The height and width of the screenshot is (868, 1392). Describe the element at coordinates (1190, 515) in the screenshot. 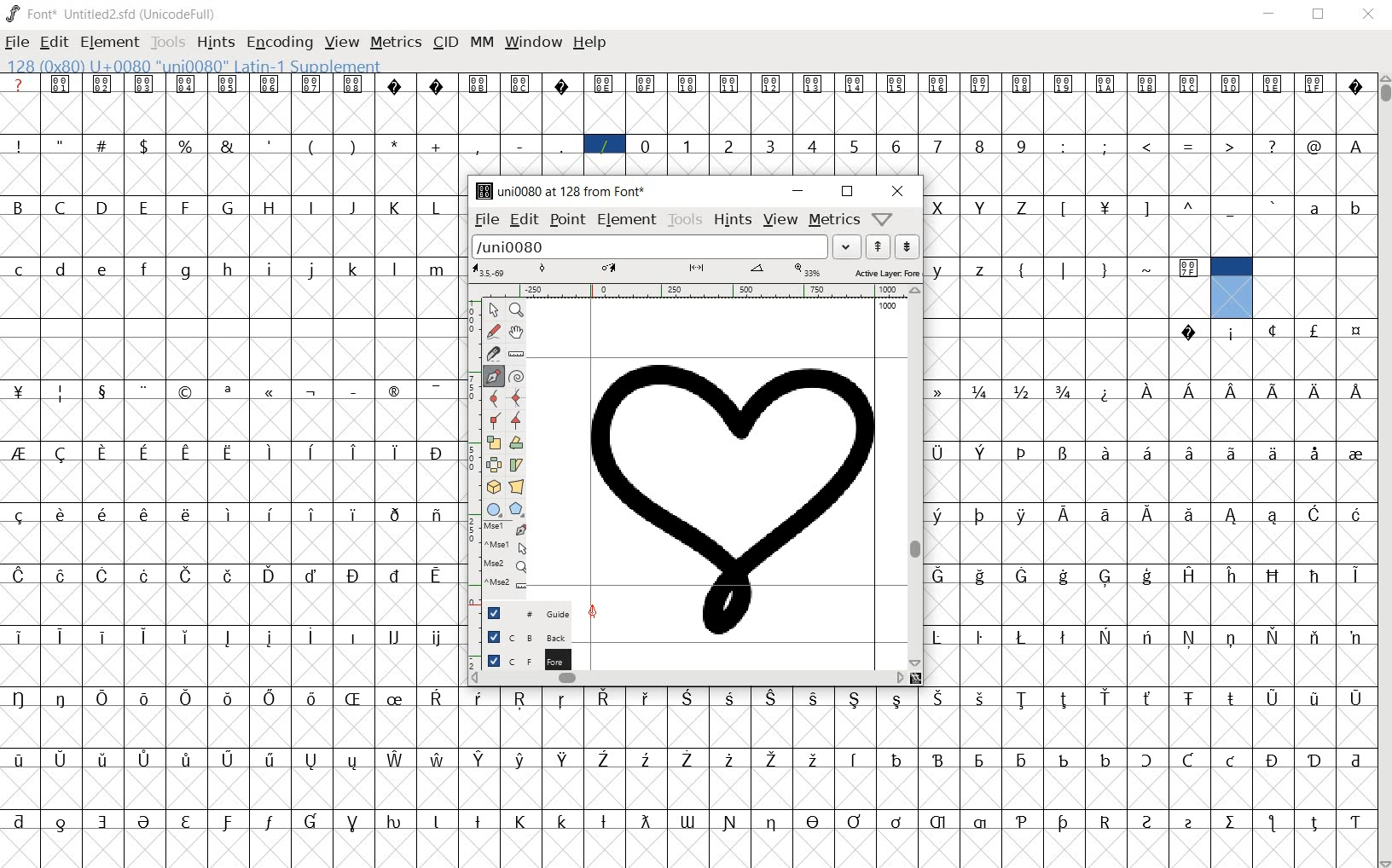

I see `glyph` at that location.